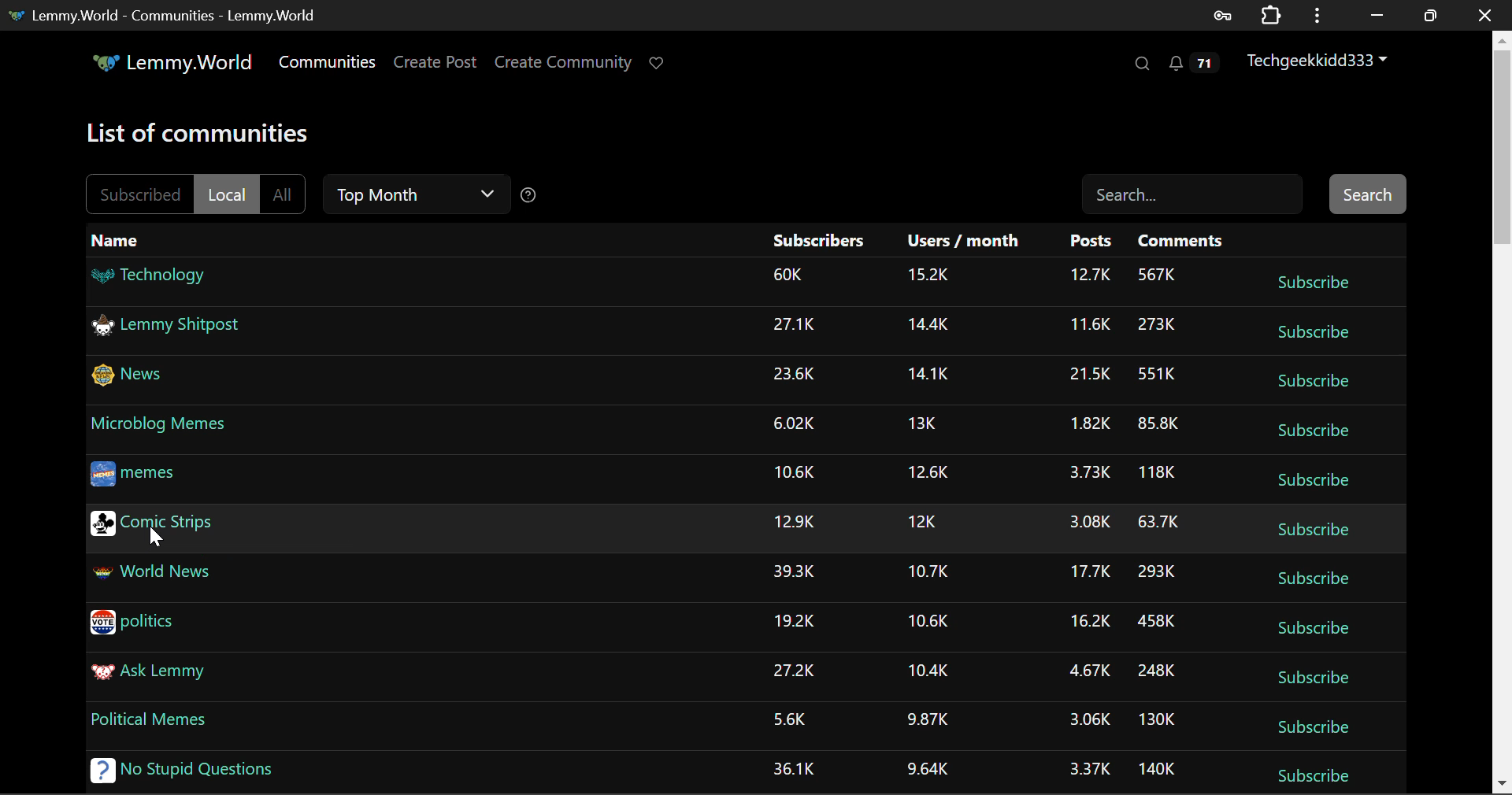  I want to click on 4.67K, so click(1086, 671).